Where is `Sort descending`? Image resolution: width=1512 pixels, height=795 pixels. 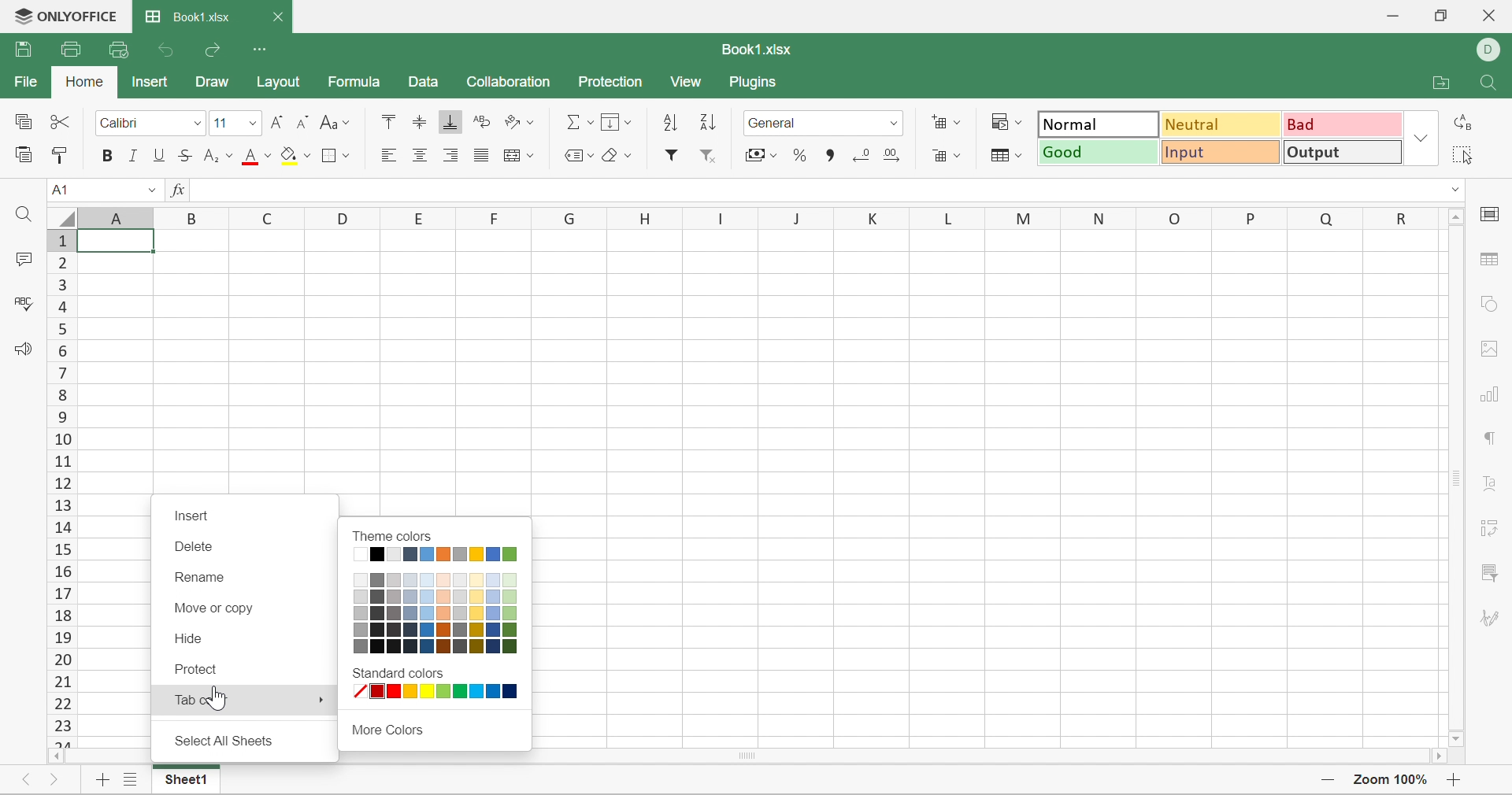
Sort descending is located at coordinates (706, 121).